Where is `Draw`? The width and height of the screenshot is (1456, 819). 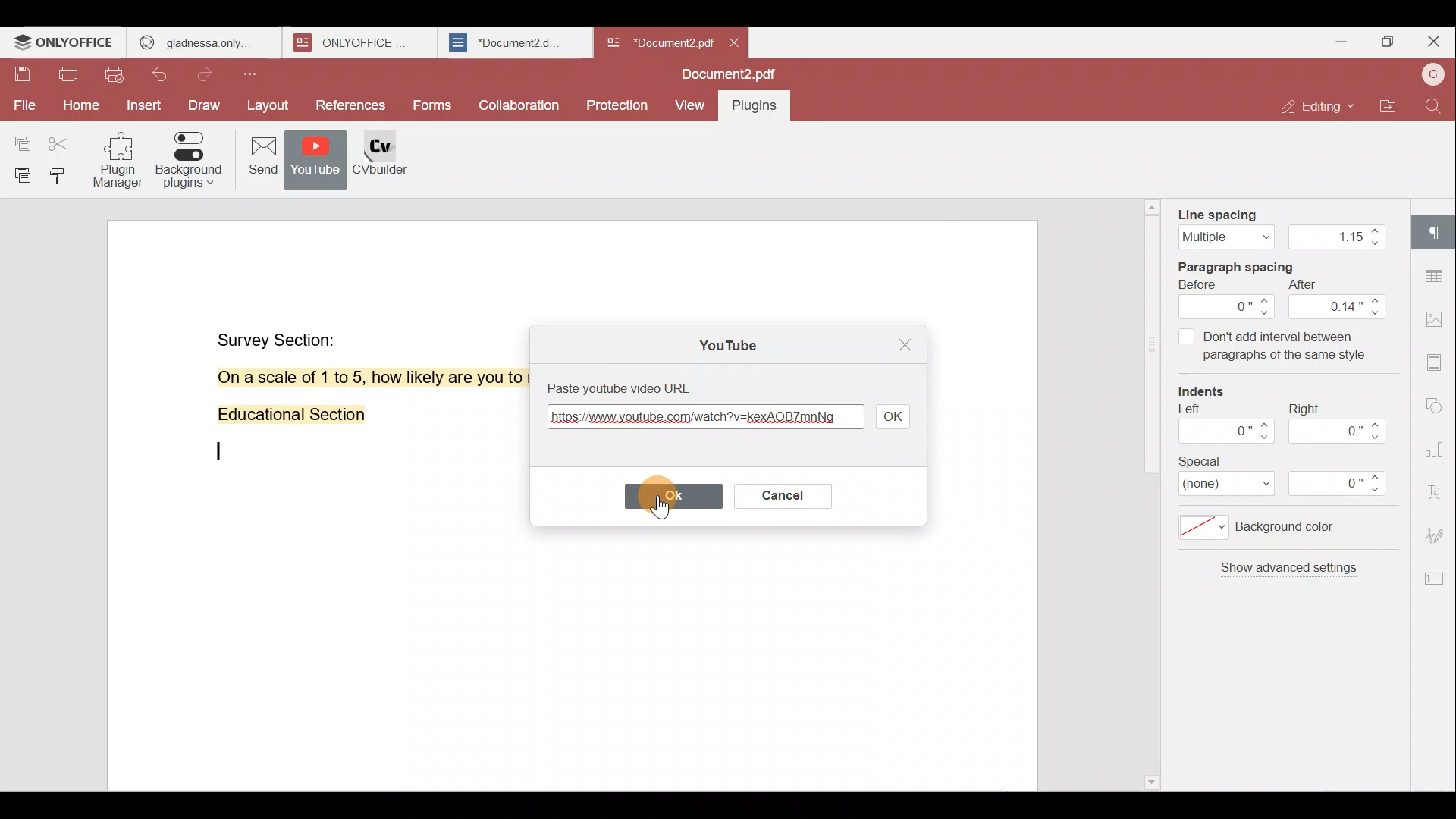 Draw is located at coordinates (206, 107).